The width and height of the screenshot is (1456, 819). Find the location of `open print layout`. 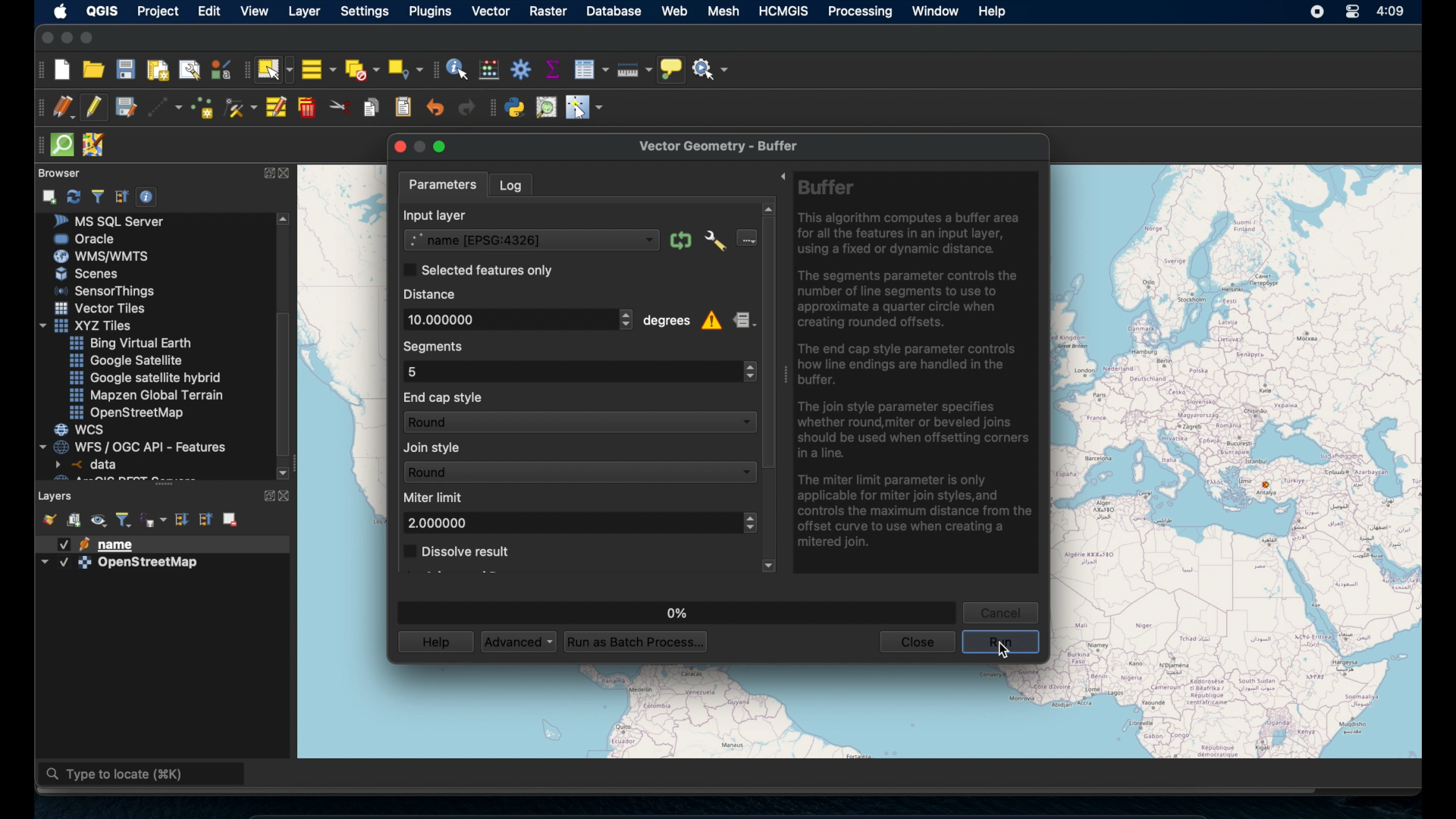

open print layout is located at coordinates (158, 72).